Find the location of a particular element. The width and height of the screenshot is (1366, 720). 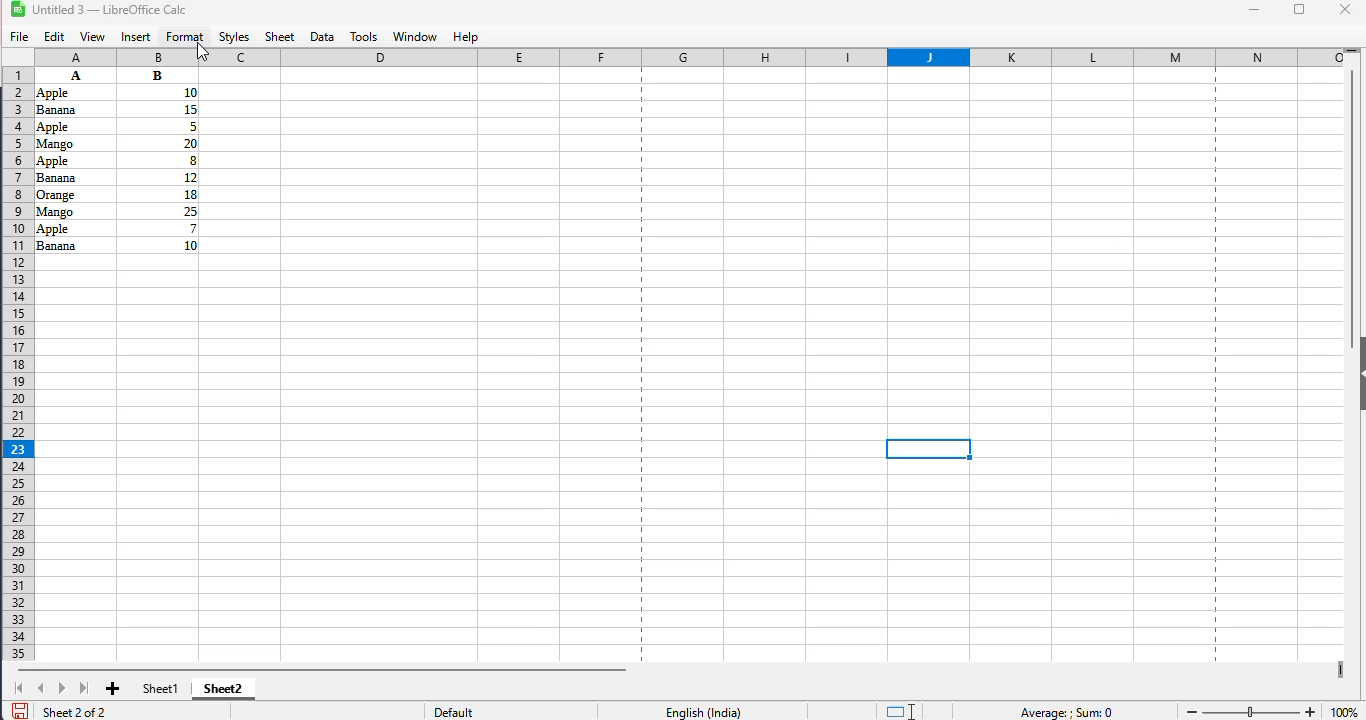

tools is located at coordinates (363, 37).